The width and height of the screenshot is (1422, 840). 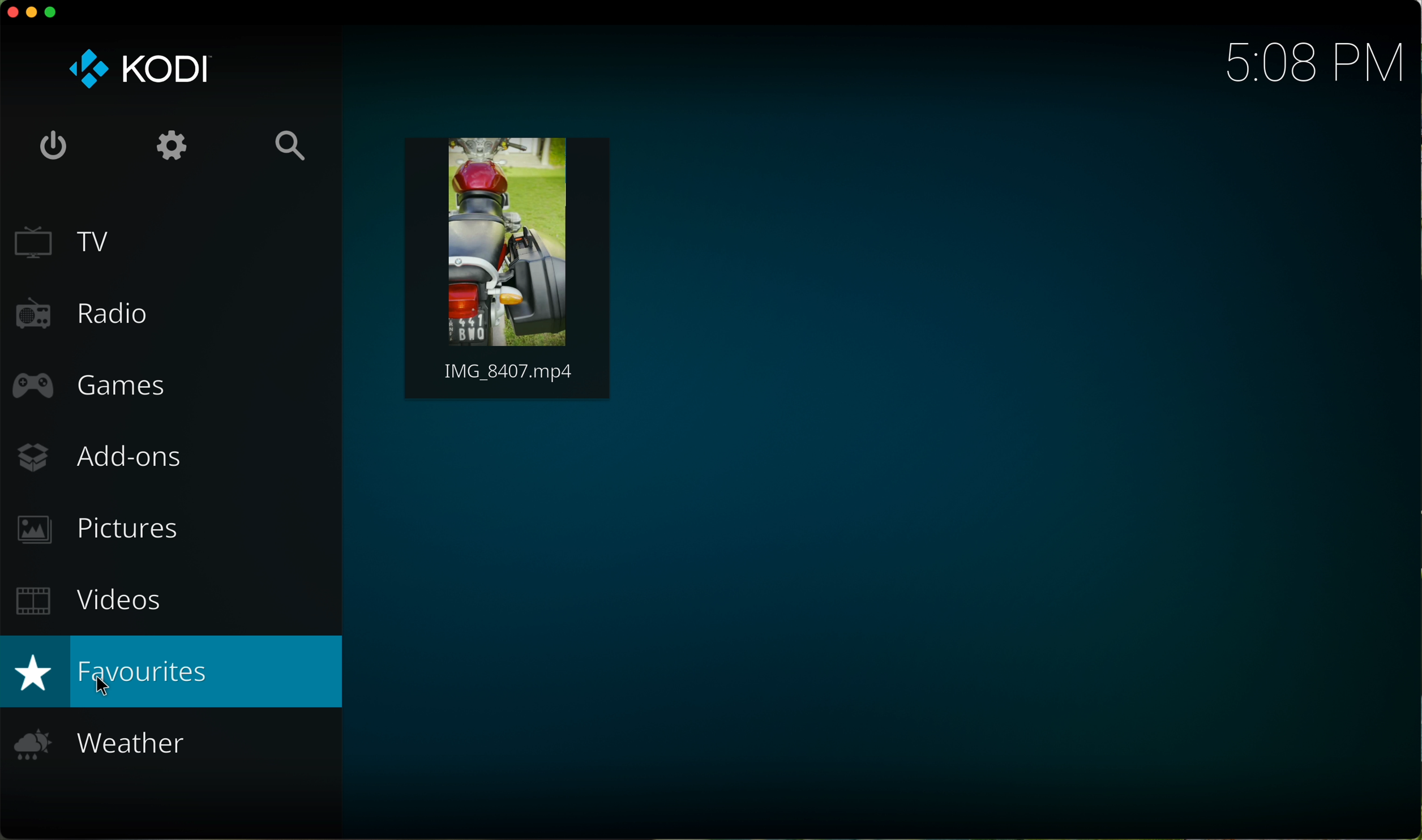 I want to click on radio, so click(x=109, y=311).